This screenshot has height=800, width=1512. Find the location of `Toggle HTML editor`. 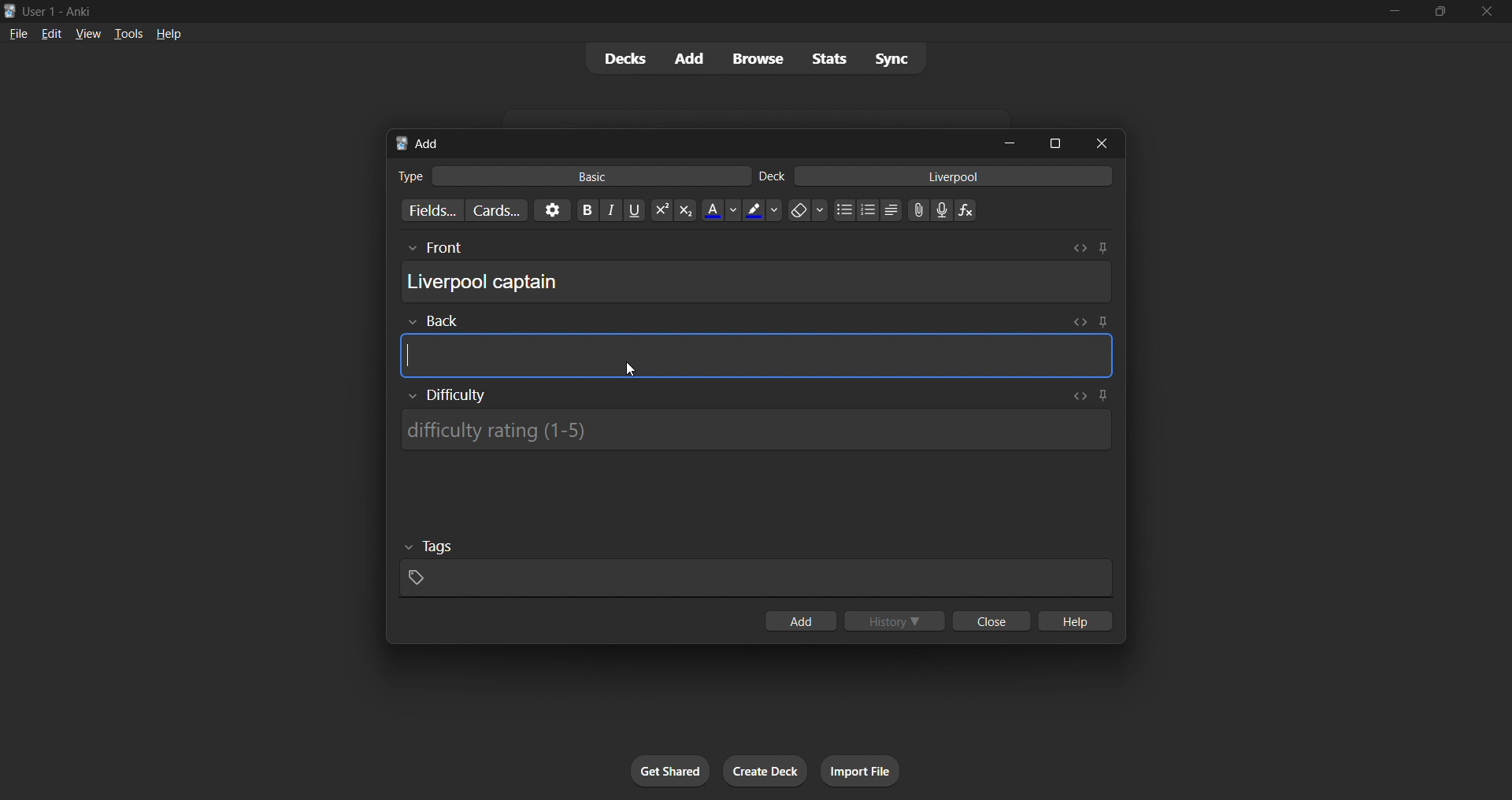

Toggle HTML editor is located at coordinates (1077, 322).